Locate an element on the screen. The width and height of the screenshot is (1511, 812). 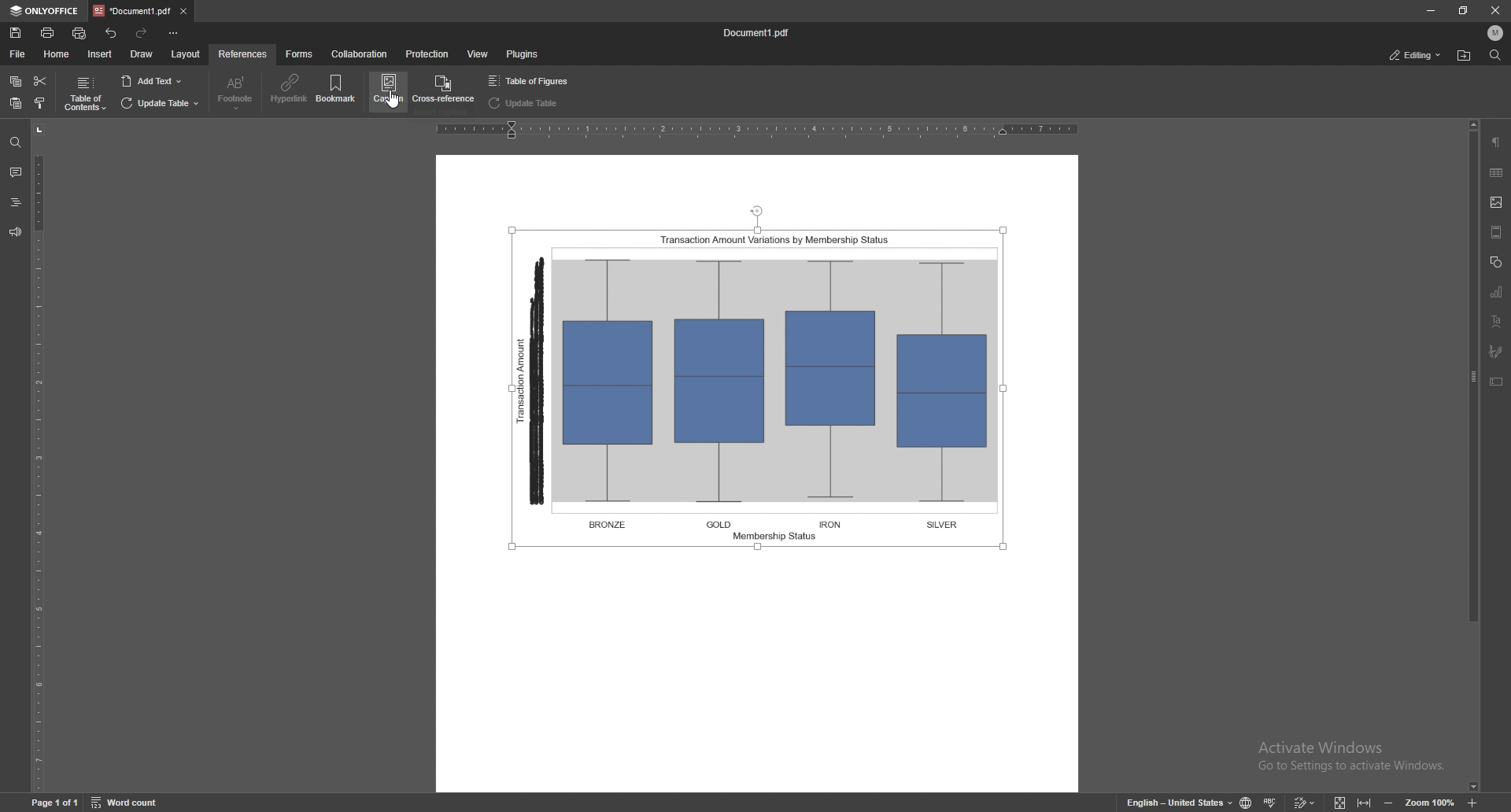
page is located at coordinates (54, 801).